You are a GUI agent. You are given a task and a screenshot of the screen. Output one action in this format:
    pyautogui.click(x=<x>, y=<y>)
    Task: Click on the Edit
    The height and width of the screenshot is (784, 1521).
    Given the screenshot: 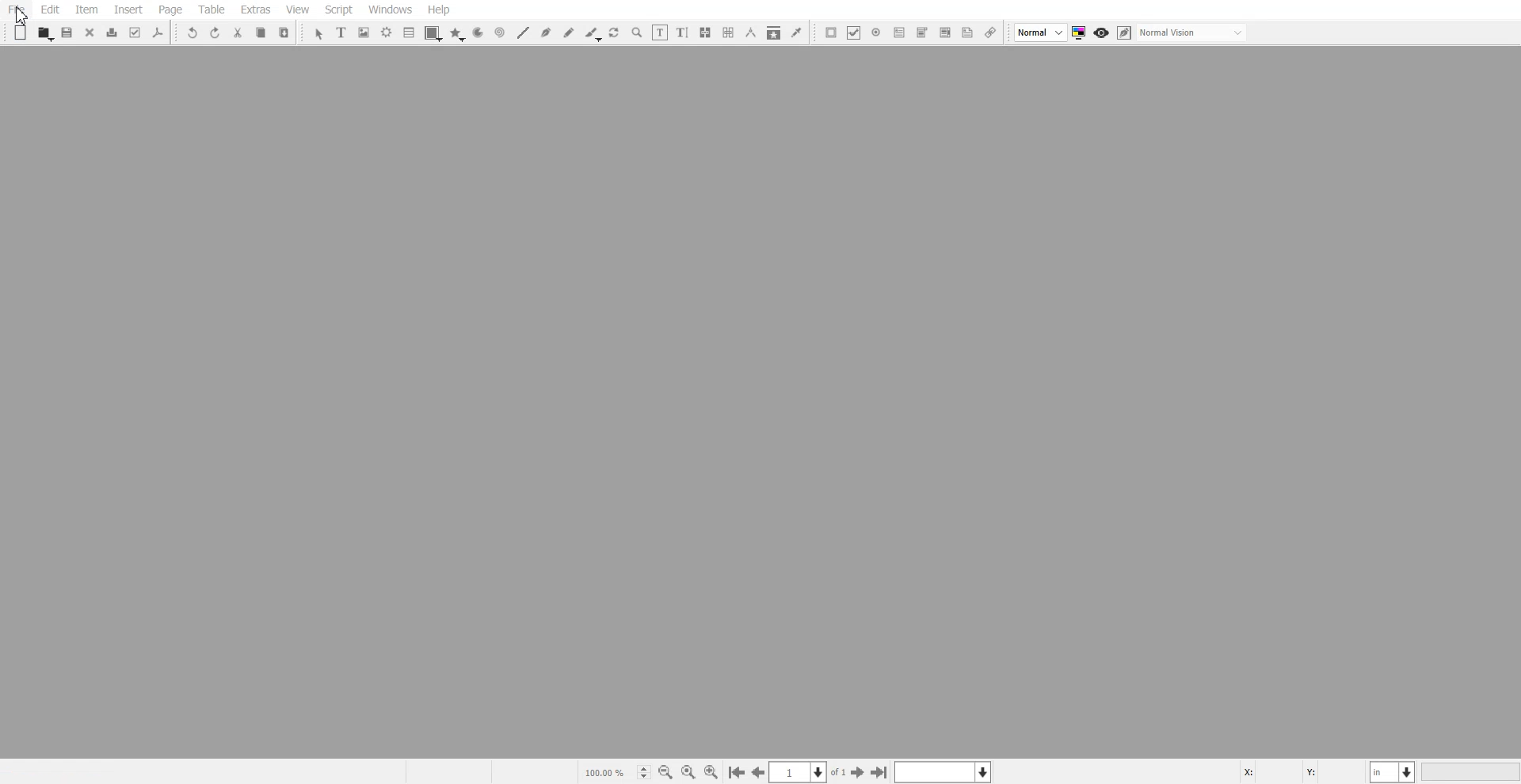 What is the action you would take?
    pyautogui.click(x=49, y=10)
    